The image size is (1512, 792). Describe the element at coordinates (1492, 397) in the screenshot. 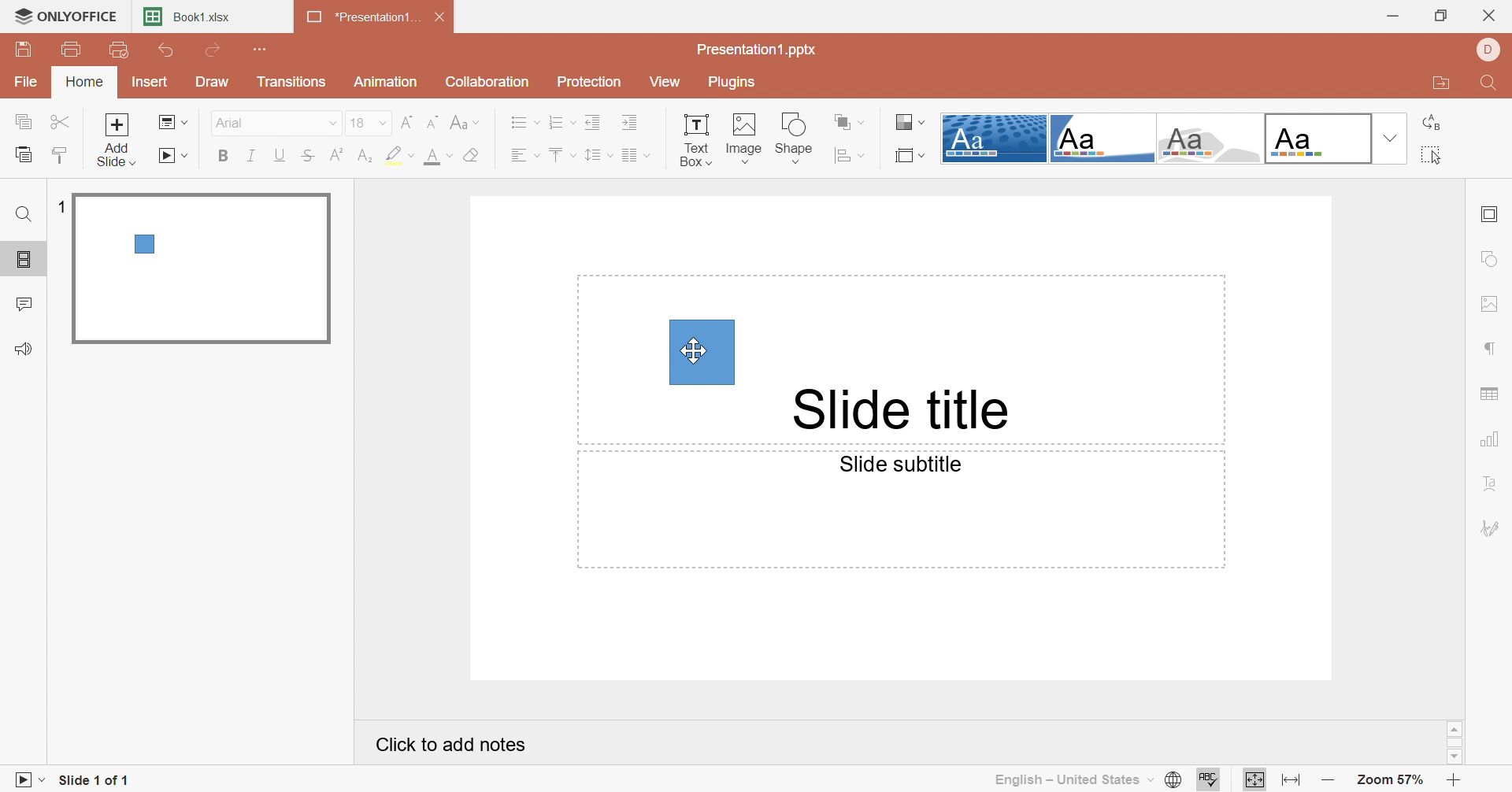

I see `Table settings` at that location.